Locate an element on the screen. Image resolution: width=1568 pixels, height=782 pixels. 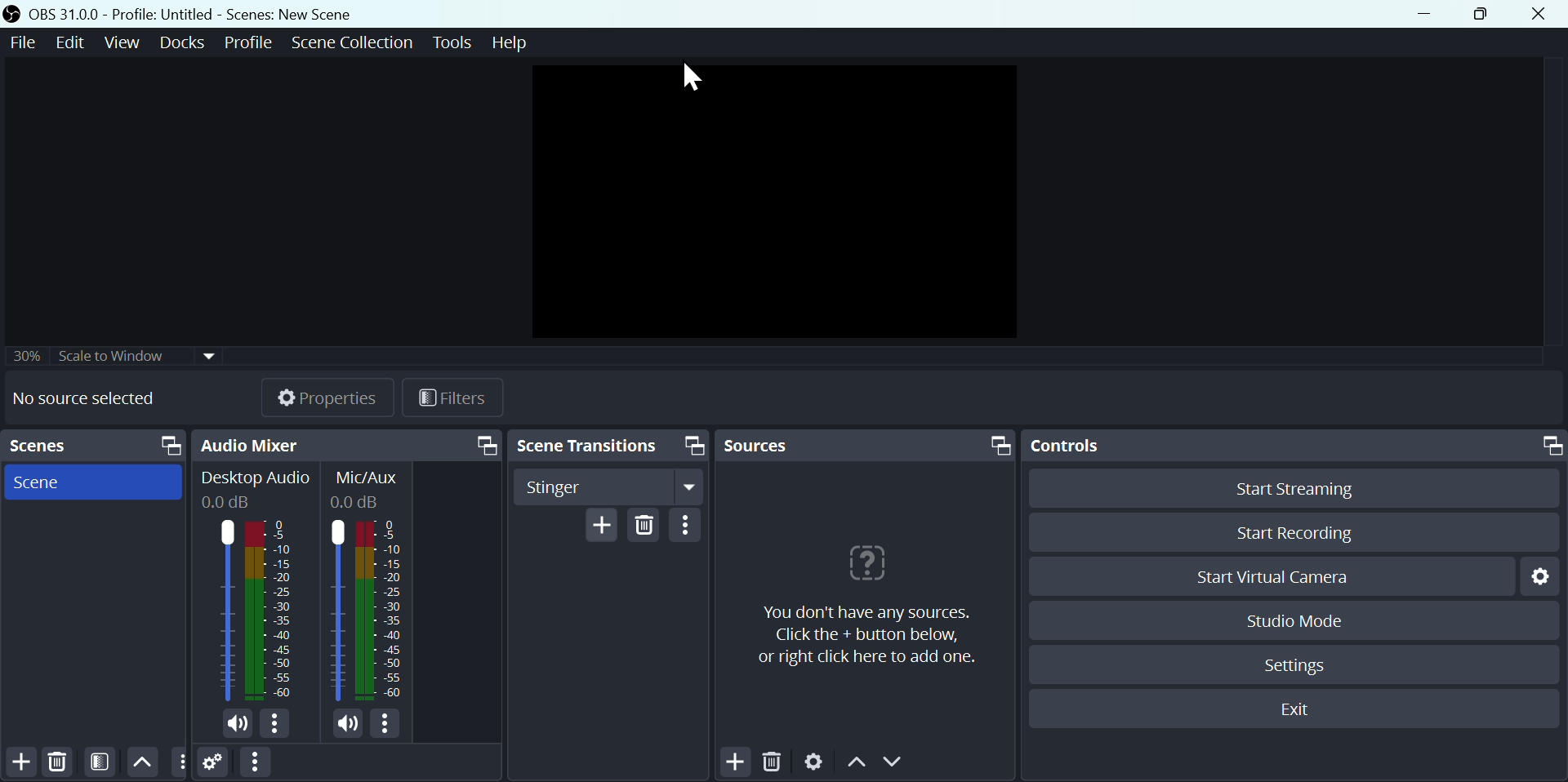
Close is located at coordinates (1545, 13).